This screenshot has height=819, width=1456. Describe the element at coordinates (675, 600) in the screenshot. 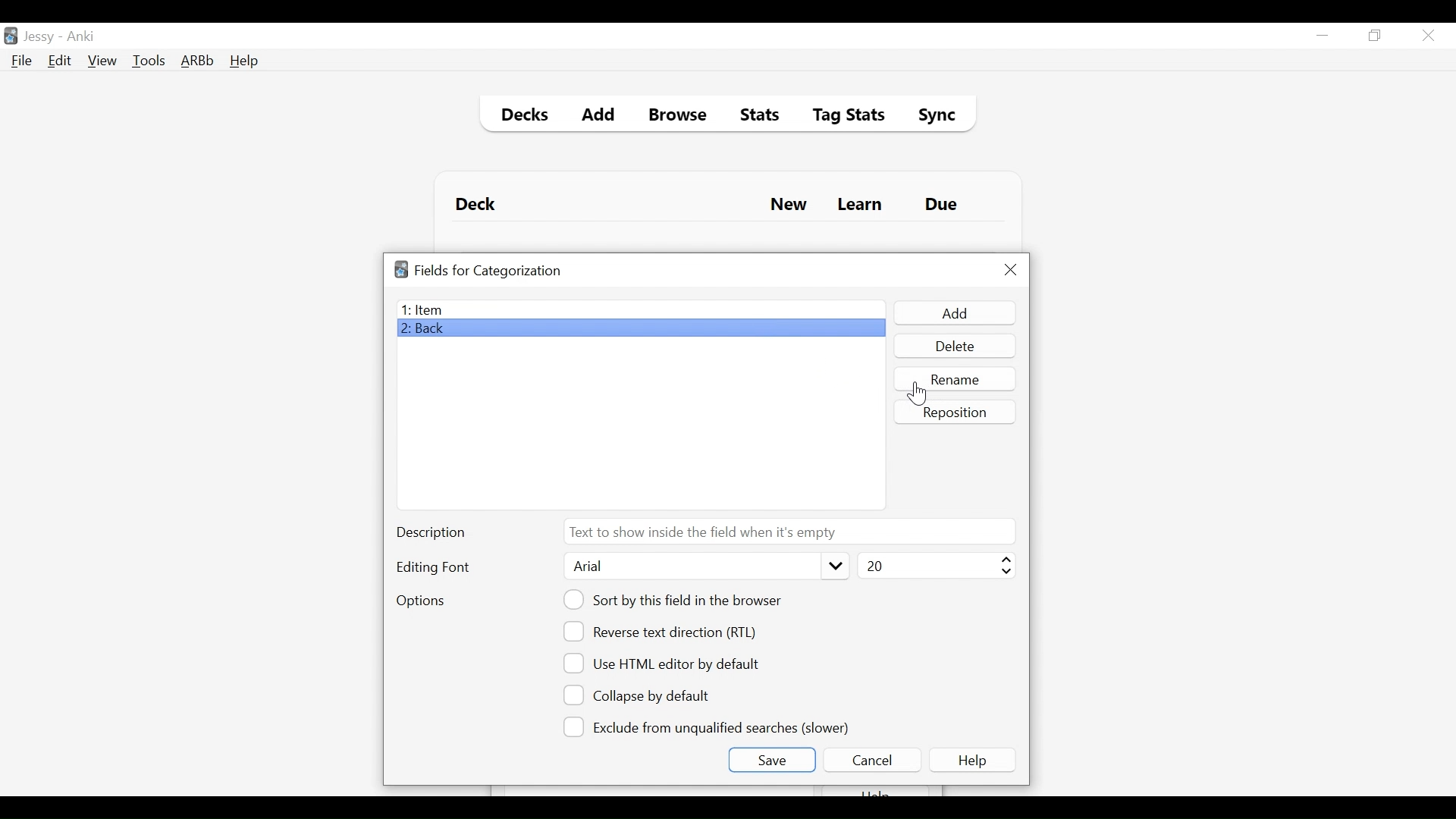

I see `(un)select Sort by this field in the browser` at that location.